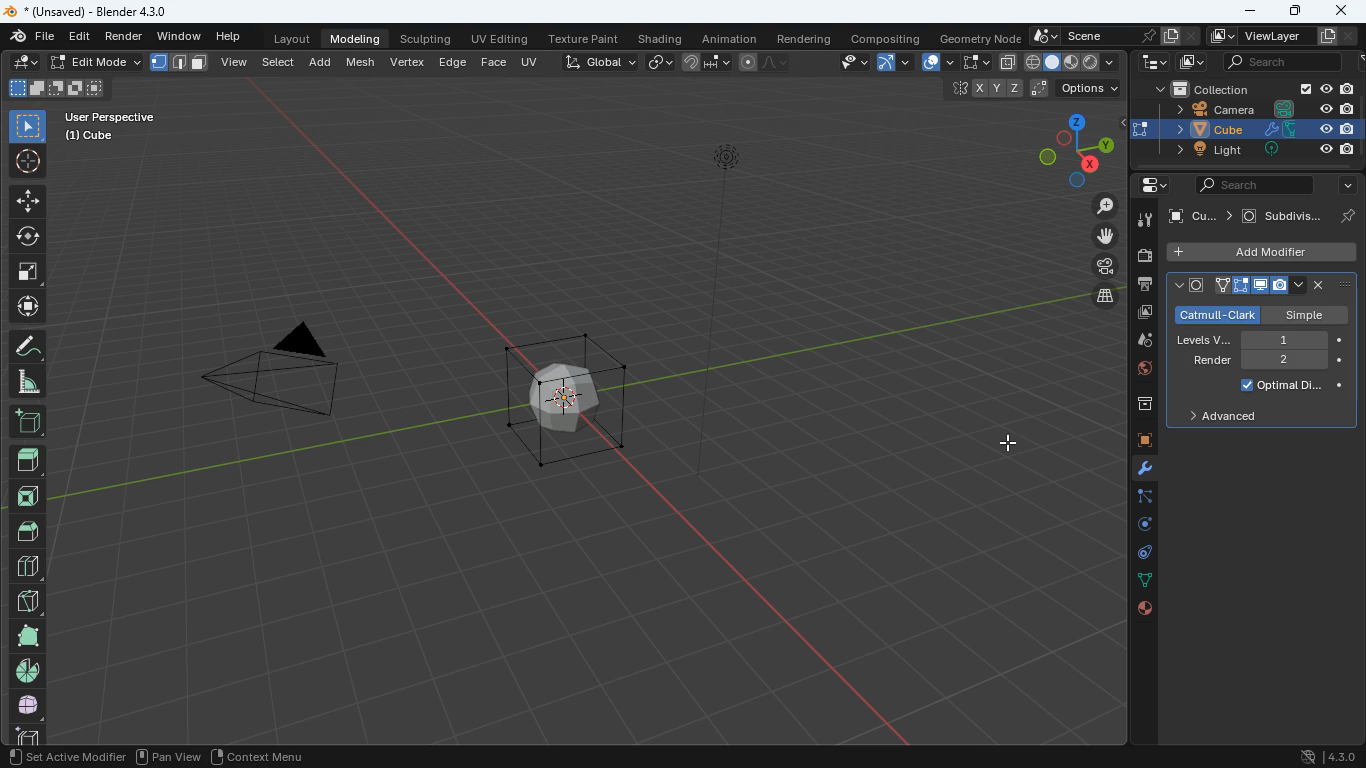 This screenshot has width=1366, height=768. Describe the element at coordinates (409, 62) in the screenshot. I see `vertex` at that location.